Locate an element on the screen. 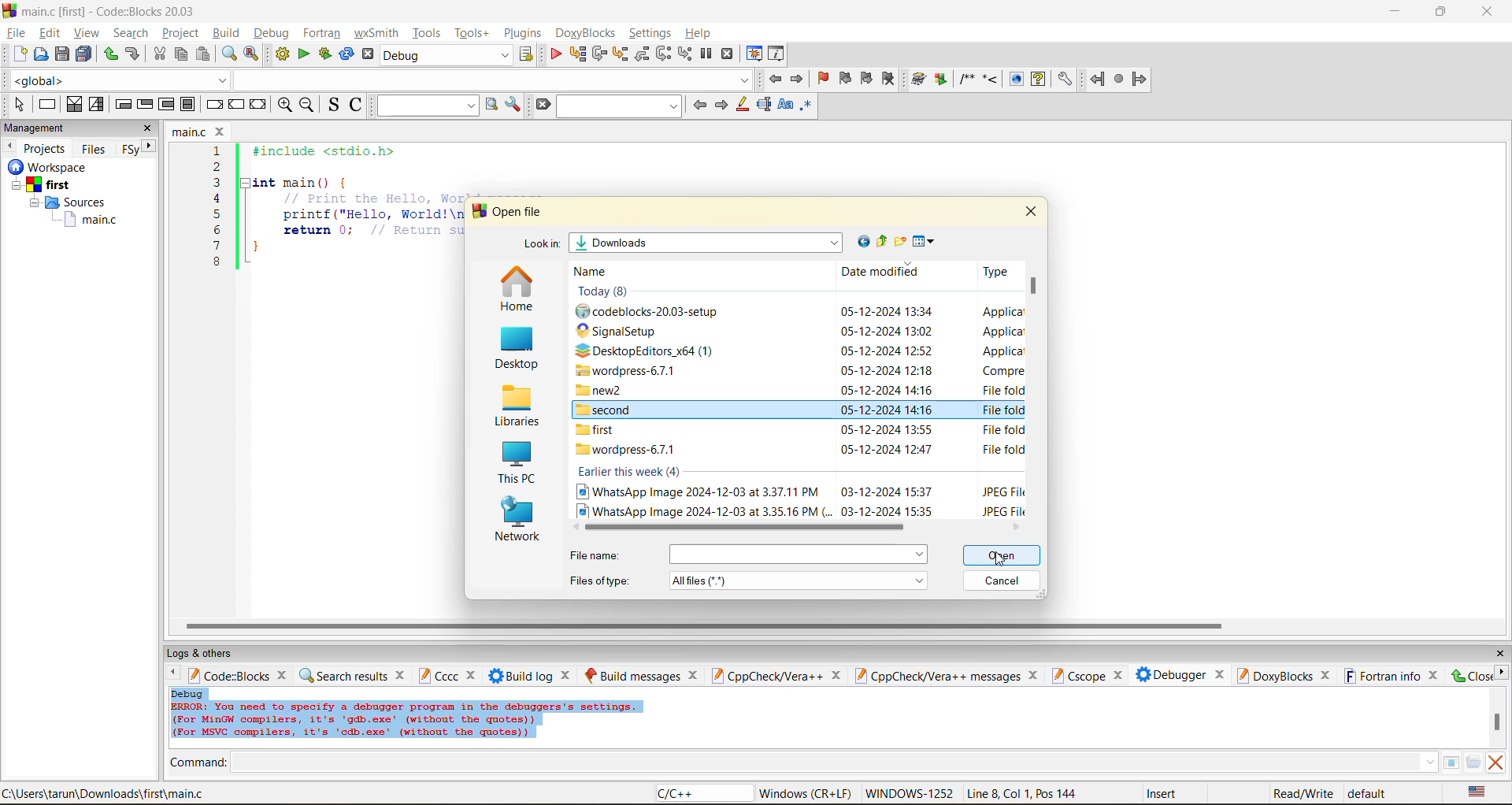  counting loop is located at coordinates (167, 106).